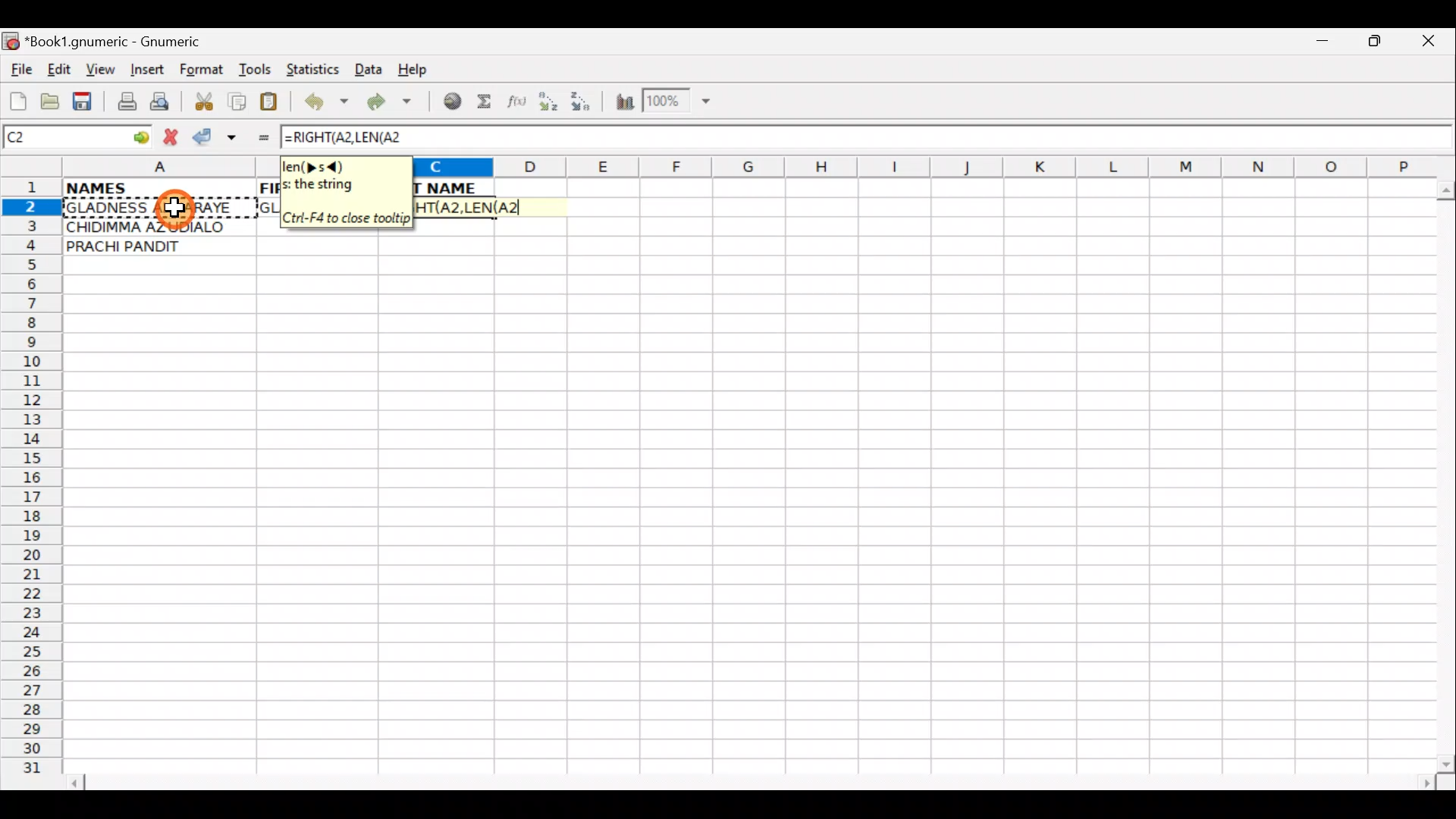  Describe the element at coordinates (328, 104) in the screenshot. I see `Undo last action` at that location.